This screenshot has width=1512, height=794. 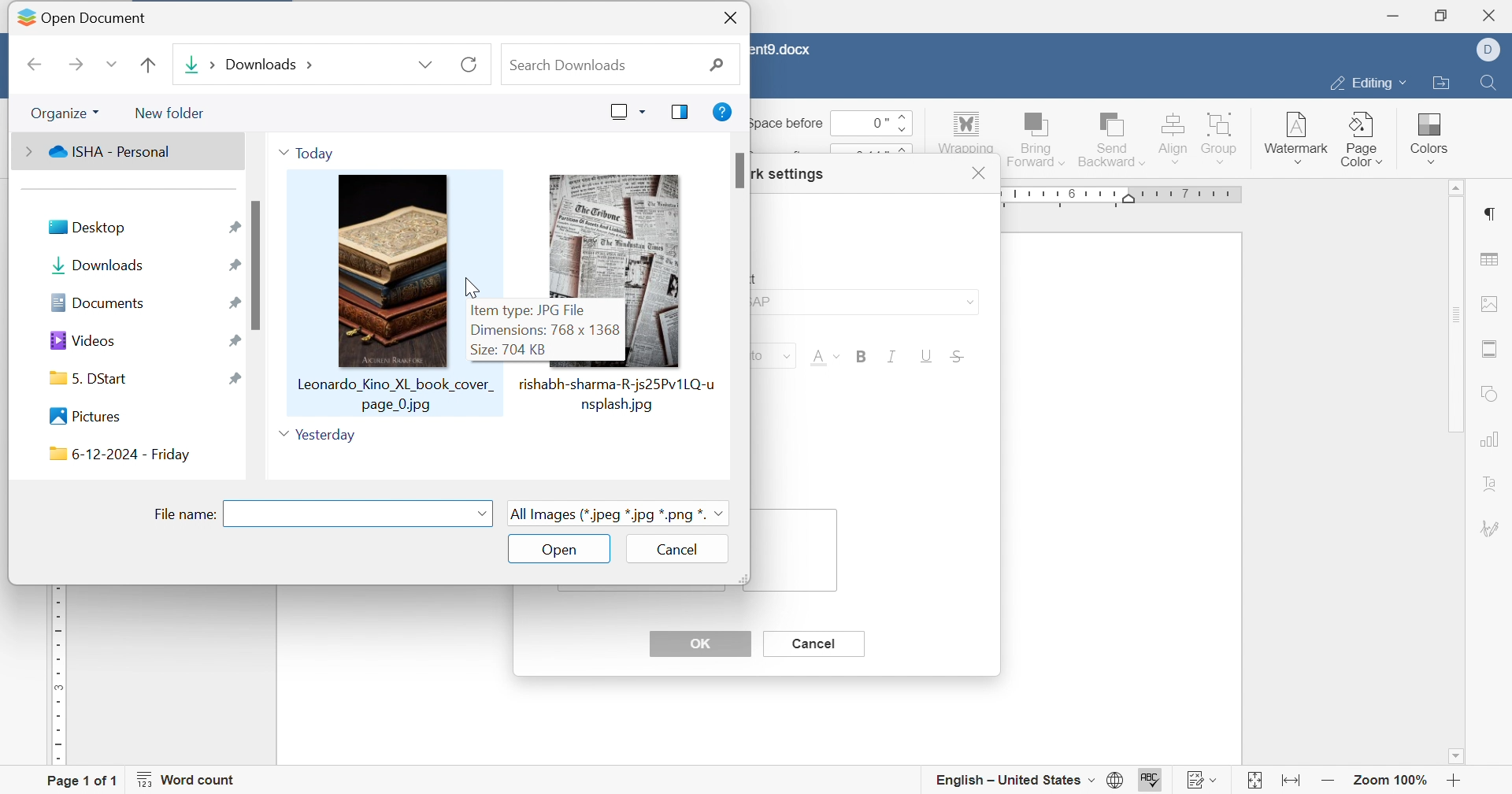 I want to click on header and footer settings, so click(x=1487, y=349).